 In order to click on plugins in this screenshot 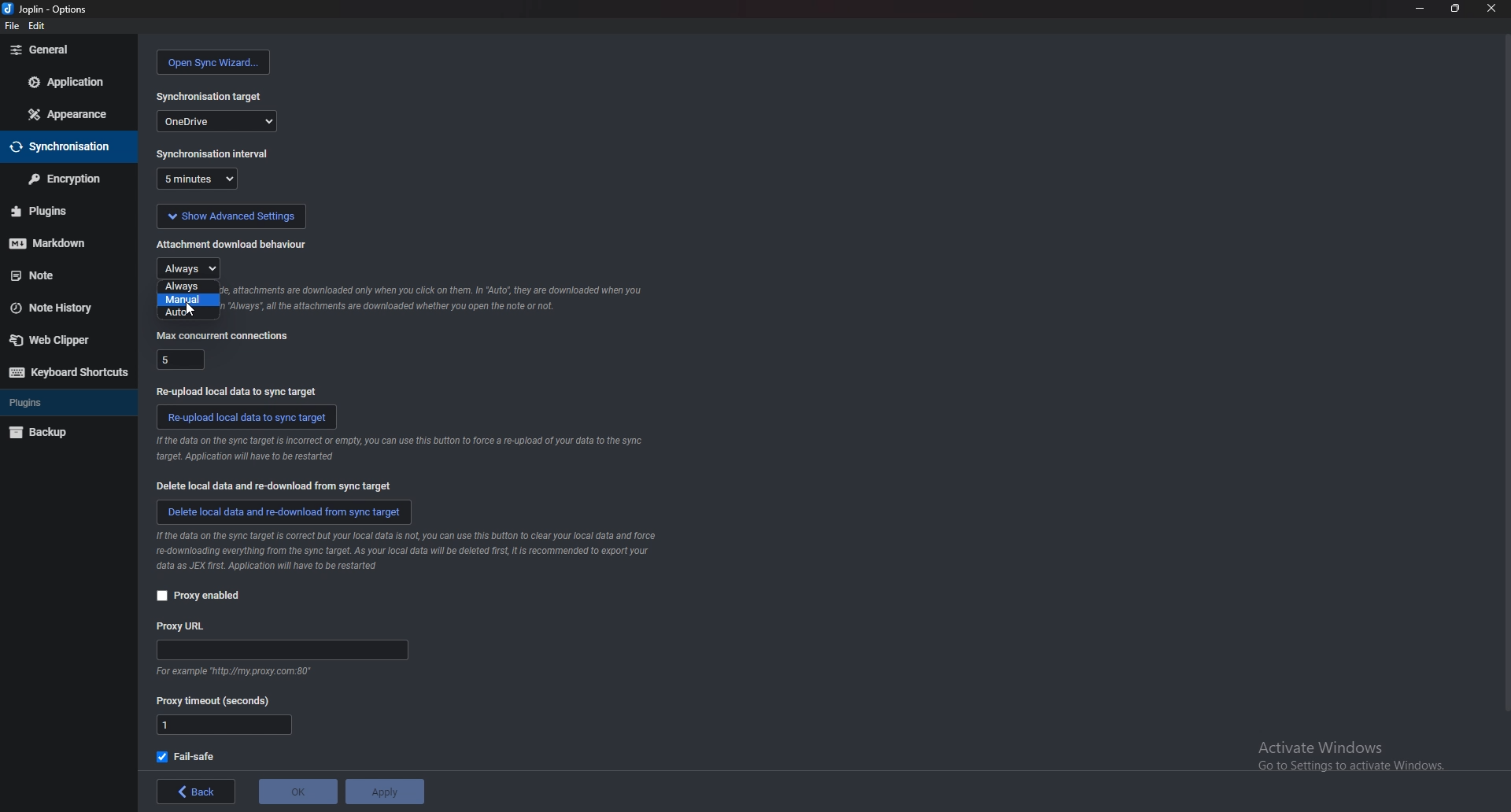, I will do `click(63, 211)`.